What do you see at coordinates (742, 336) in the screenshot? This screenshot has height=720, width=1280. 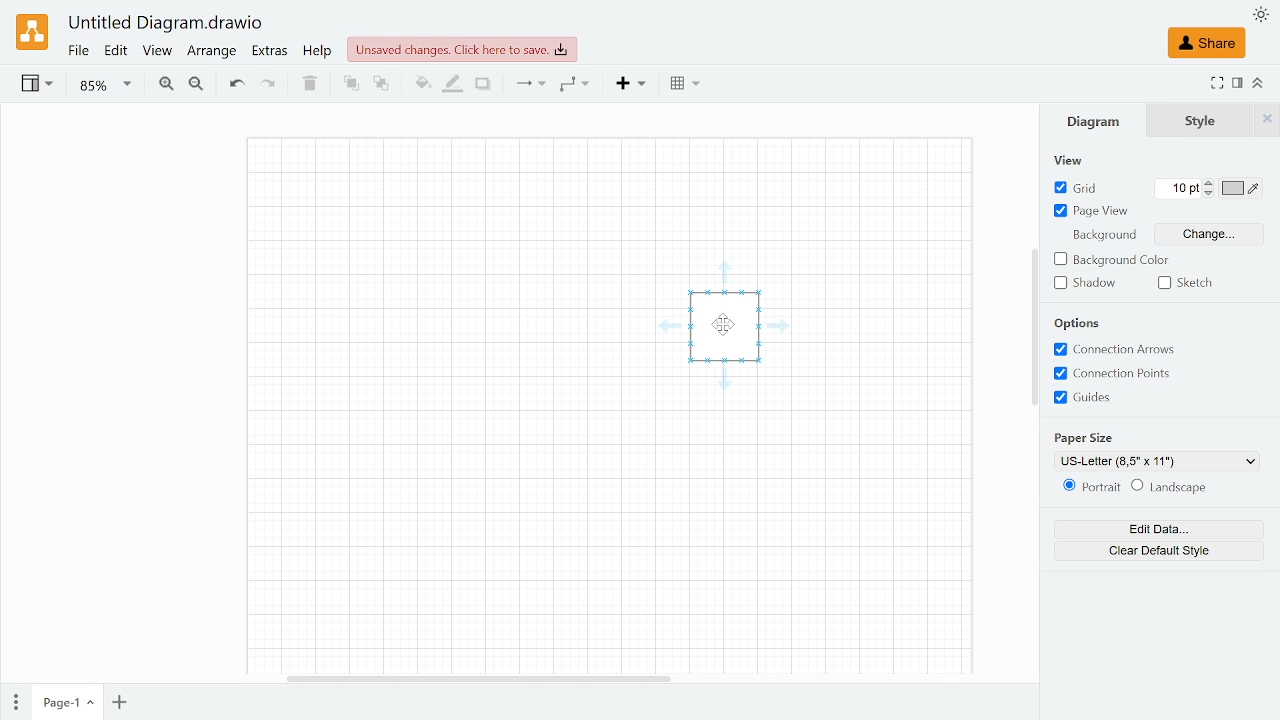 I see `Rectangle diagram` at bounding box center [742, 336].